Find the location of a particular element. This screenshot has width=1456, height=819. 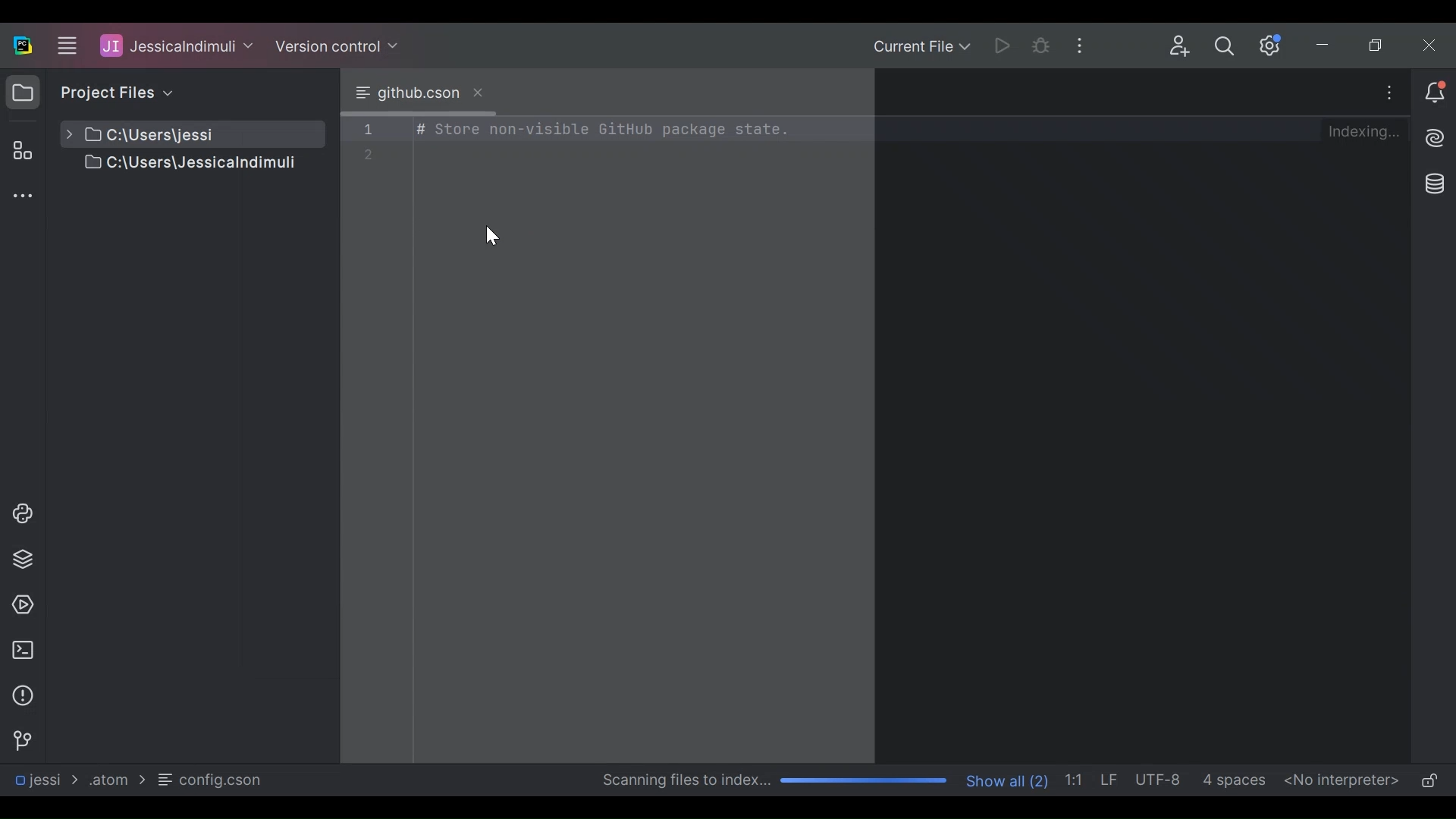

Version Control is located at coordinates (338, 44).